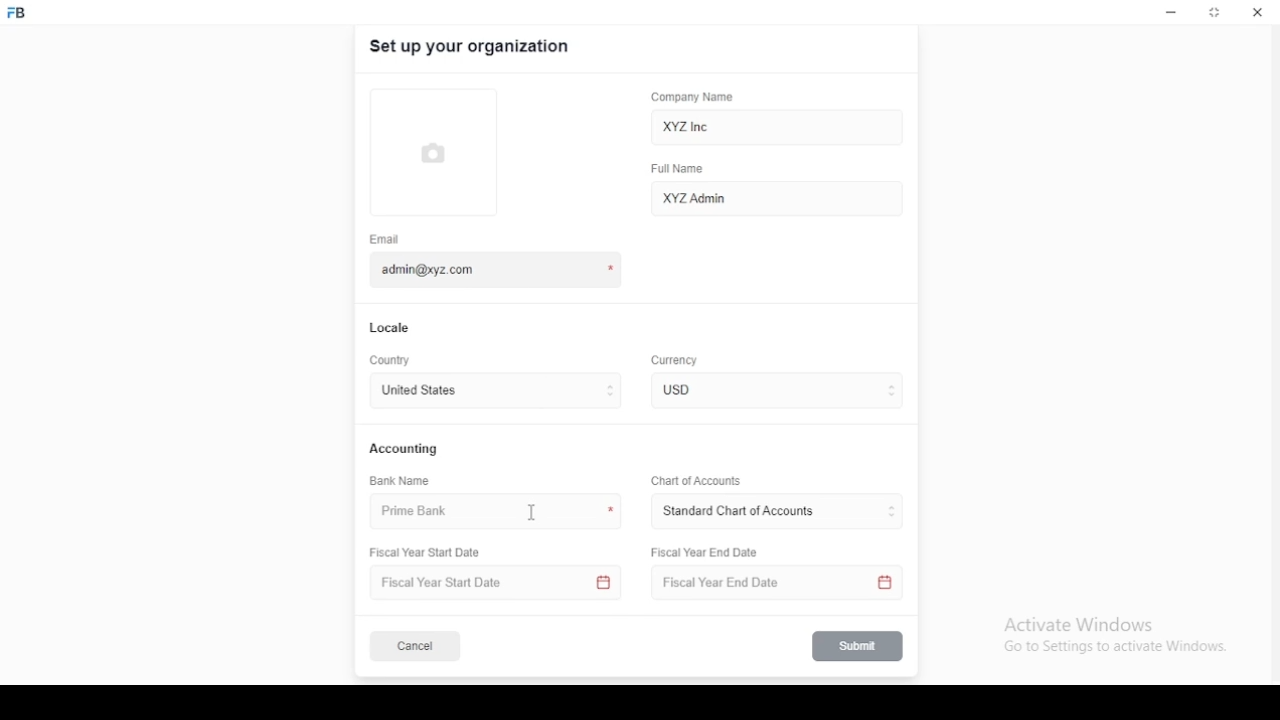  What do you see at coordinates (423, 512) in the screenshot?
I see `prime bank` at bounding box center [423, 512].